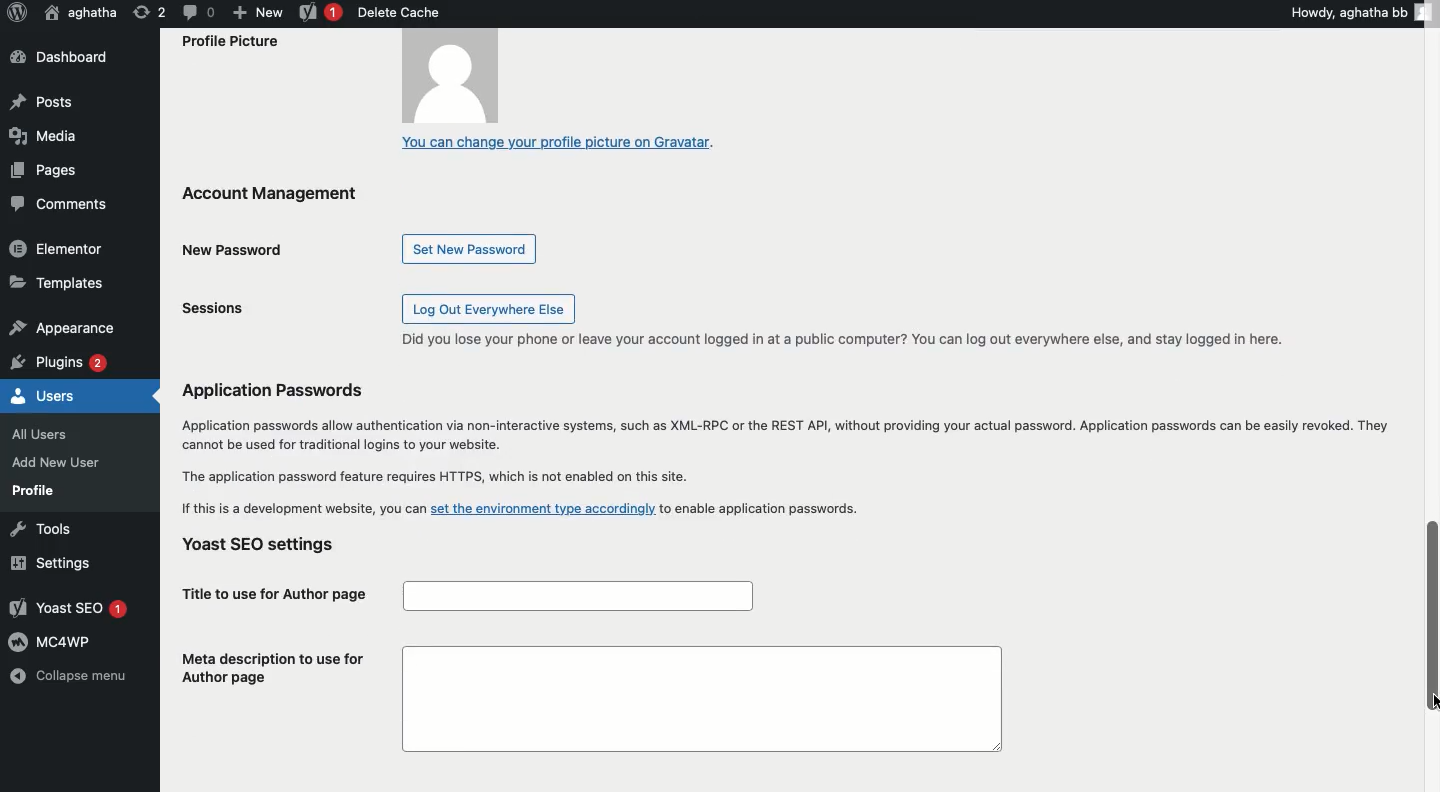  What do you see at coordinates (47, 563) in the screenshot?
I see `Settings` at bounding box center [47, 563].